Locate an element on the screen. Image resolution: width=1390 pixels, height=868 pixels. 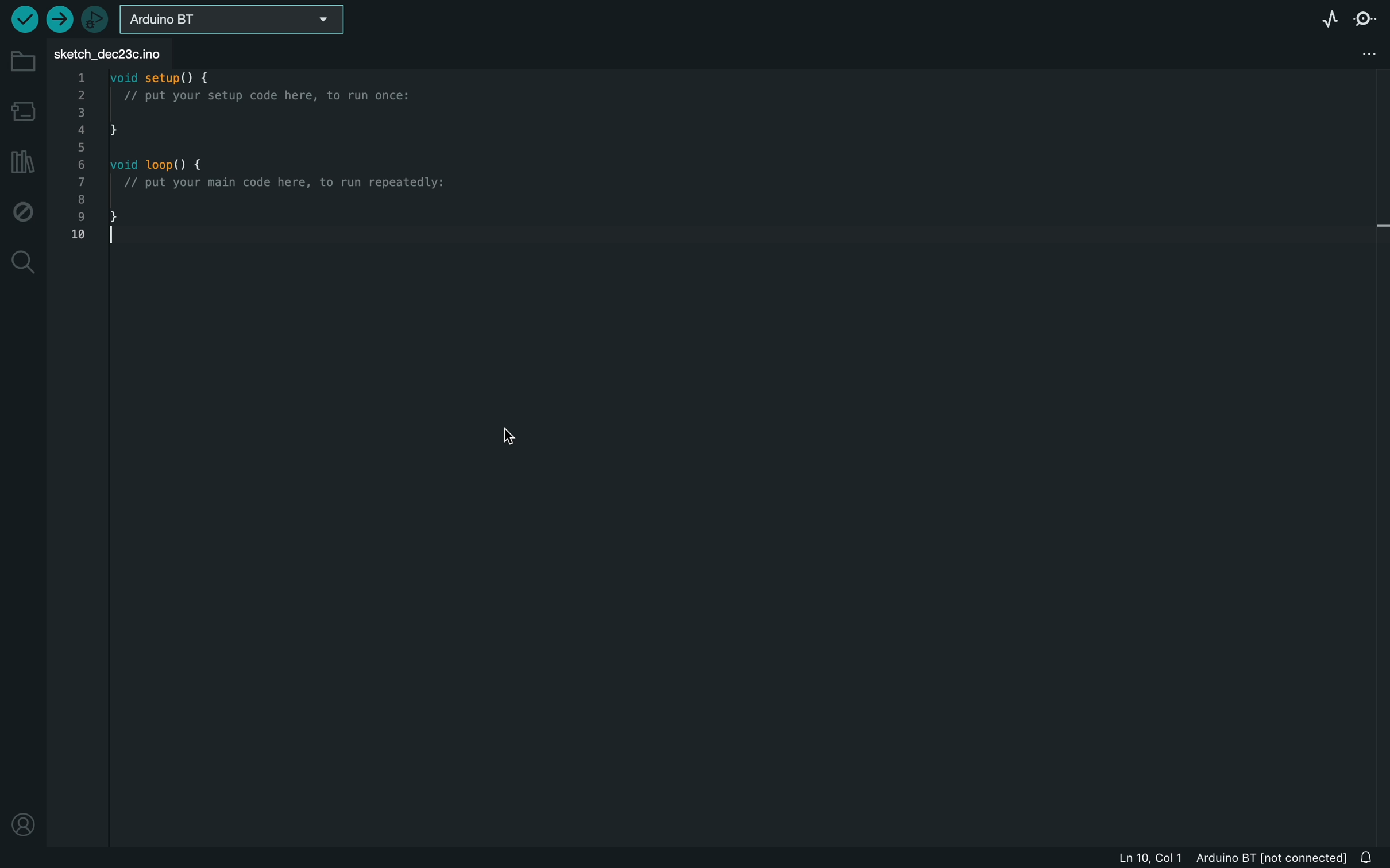
verify is located at coordinates (22, 19).